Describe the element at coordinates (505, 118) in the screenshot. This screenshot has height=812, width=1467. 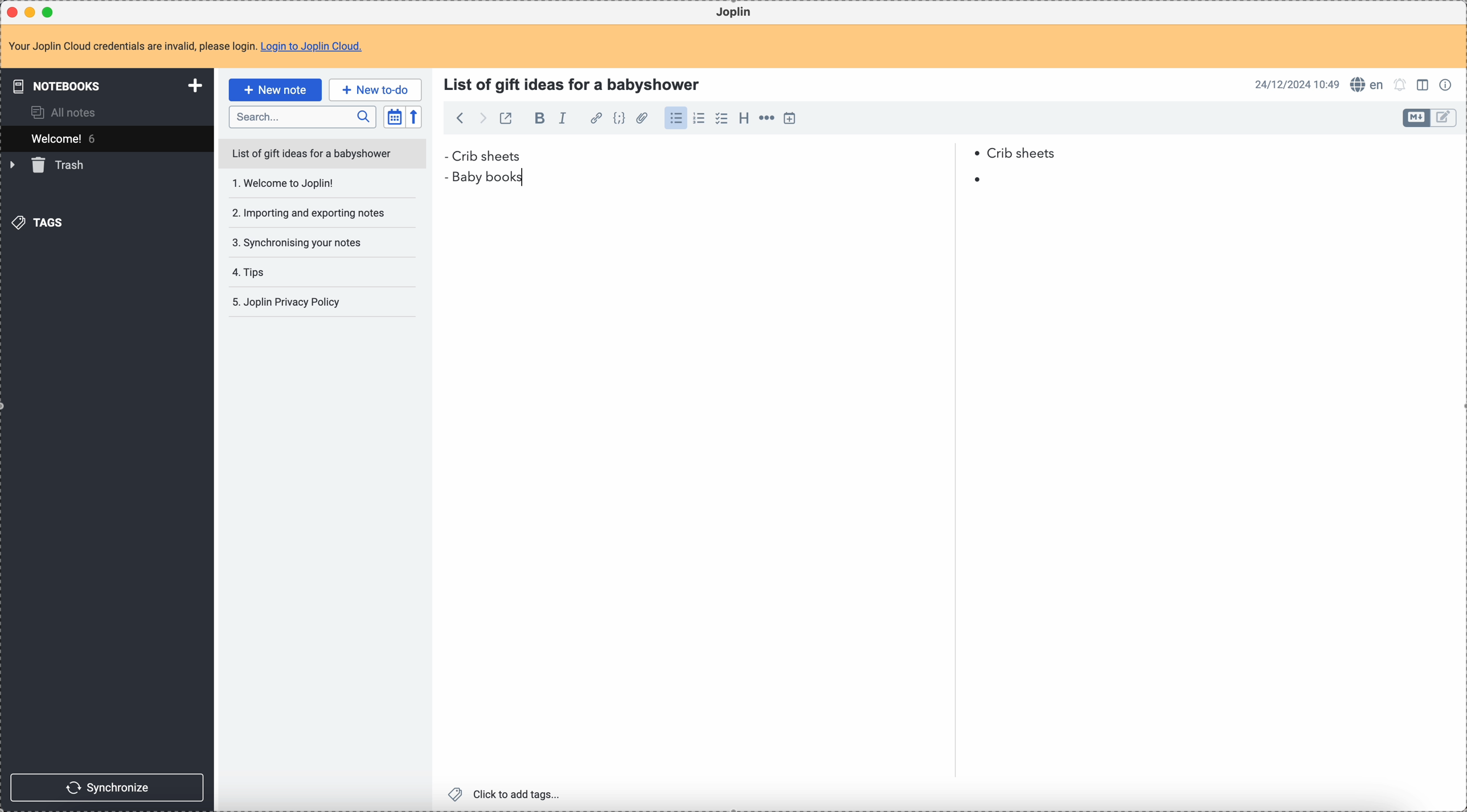
I see `toggle external editing` at that location.